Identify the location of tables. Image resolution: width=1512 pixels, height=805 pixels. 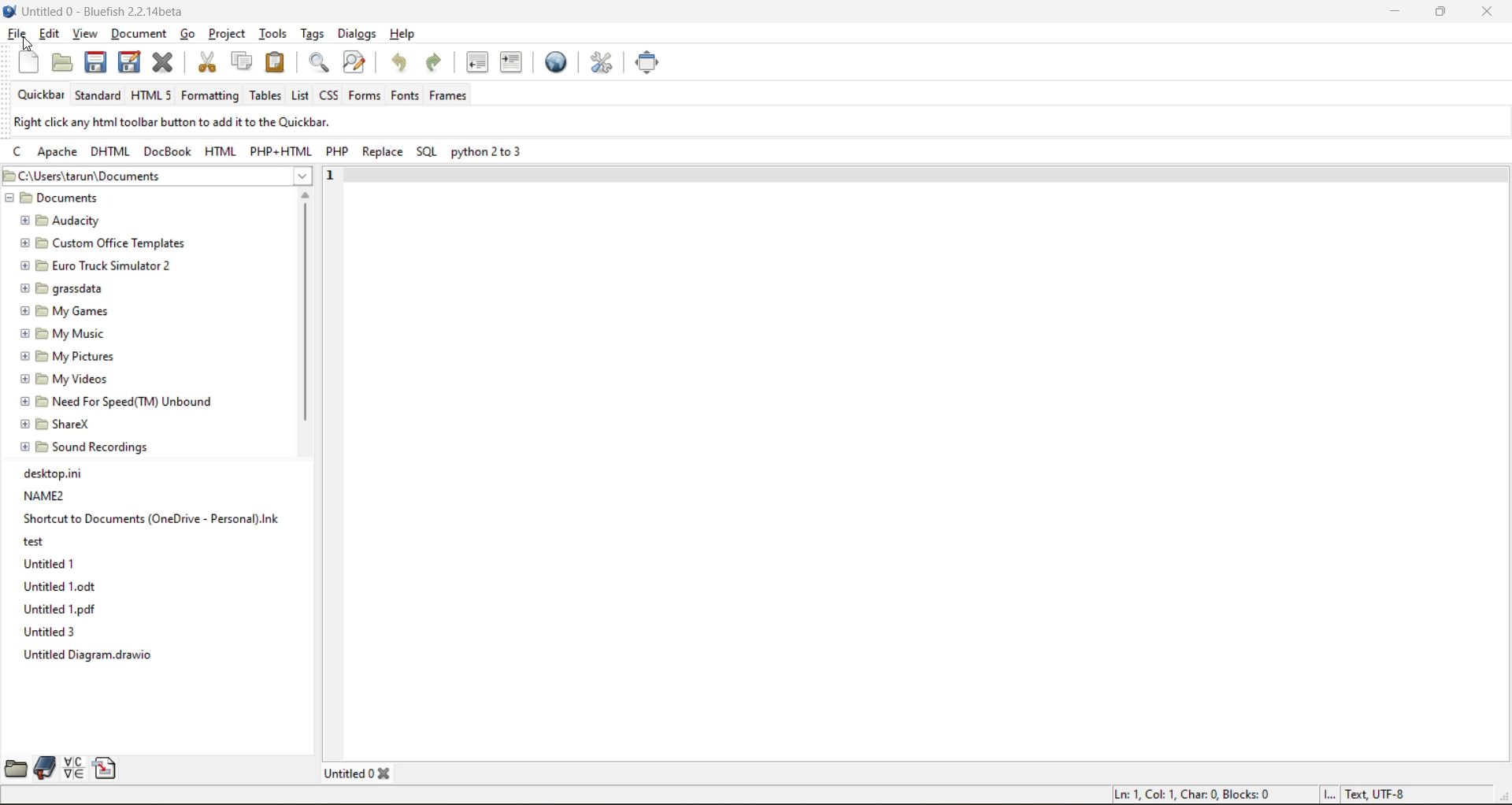
(267, 98).